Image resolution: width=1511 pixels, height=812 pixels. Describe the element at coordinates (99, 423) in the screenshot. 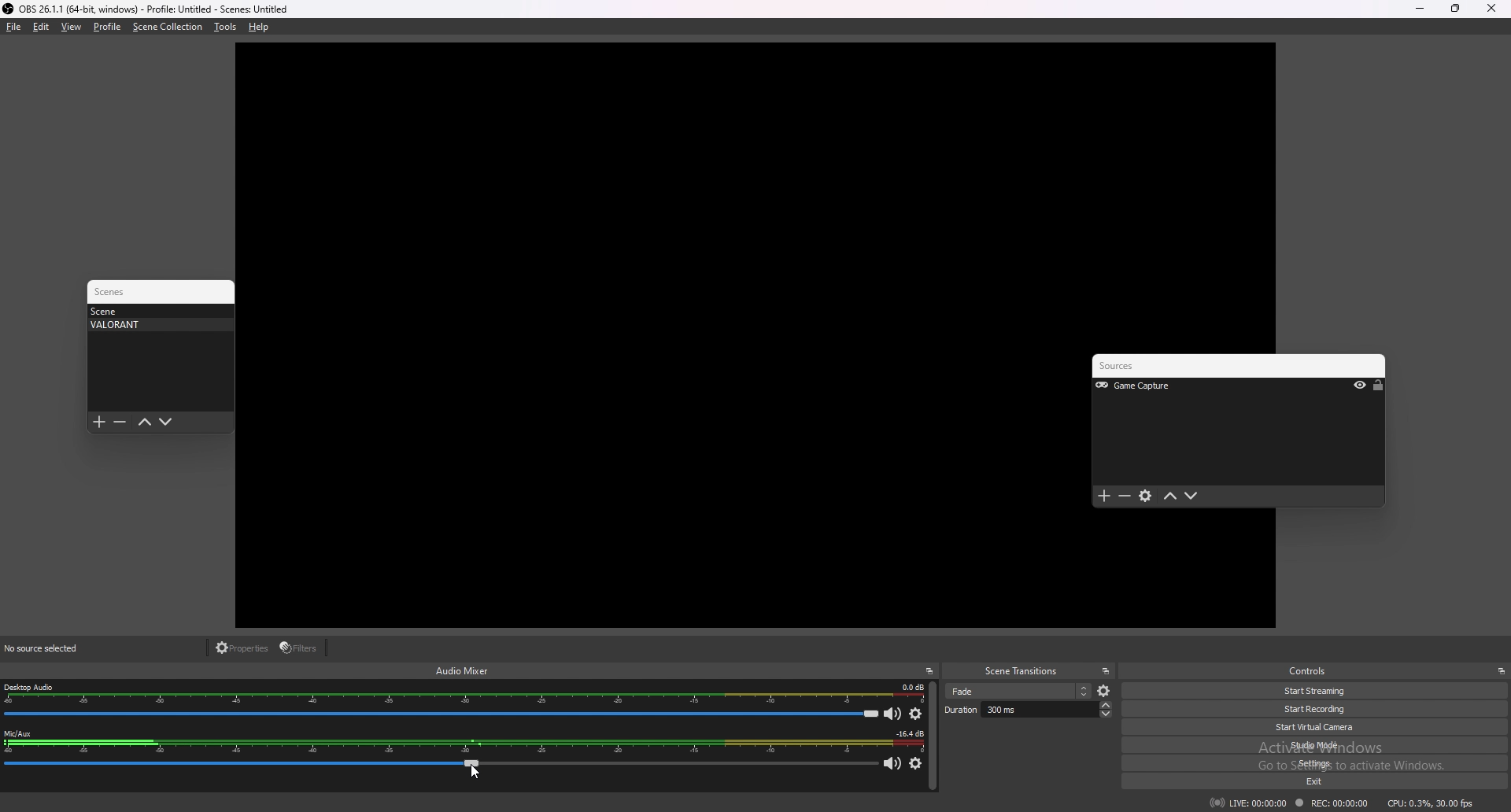

I see `add` at that location.